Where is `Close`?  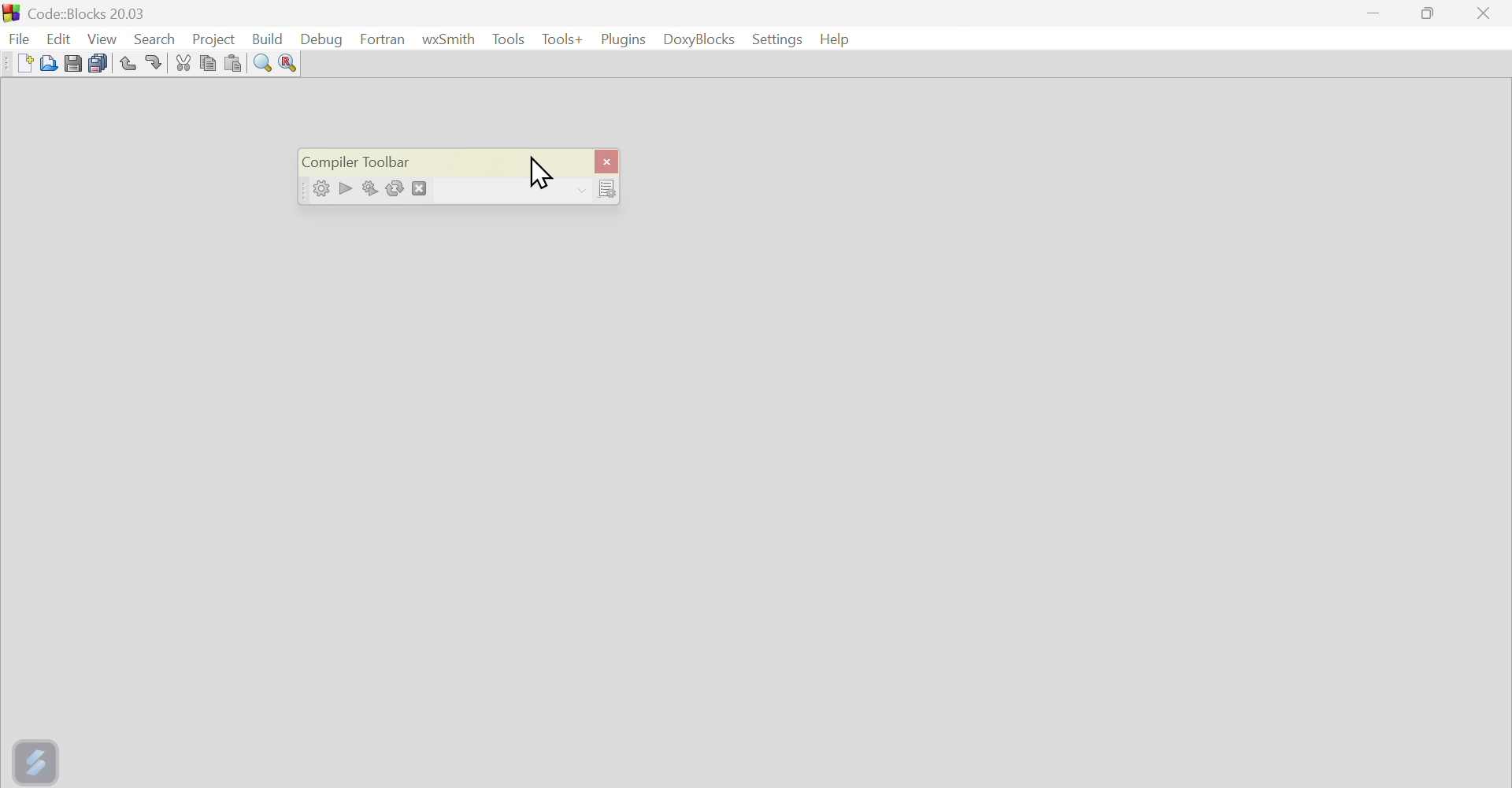
Close is located at coordinates (607, 158).